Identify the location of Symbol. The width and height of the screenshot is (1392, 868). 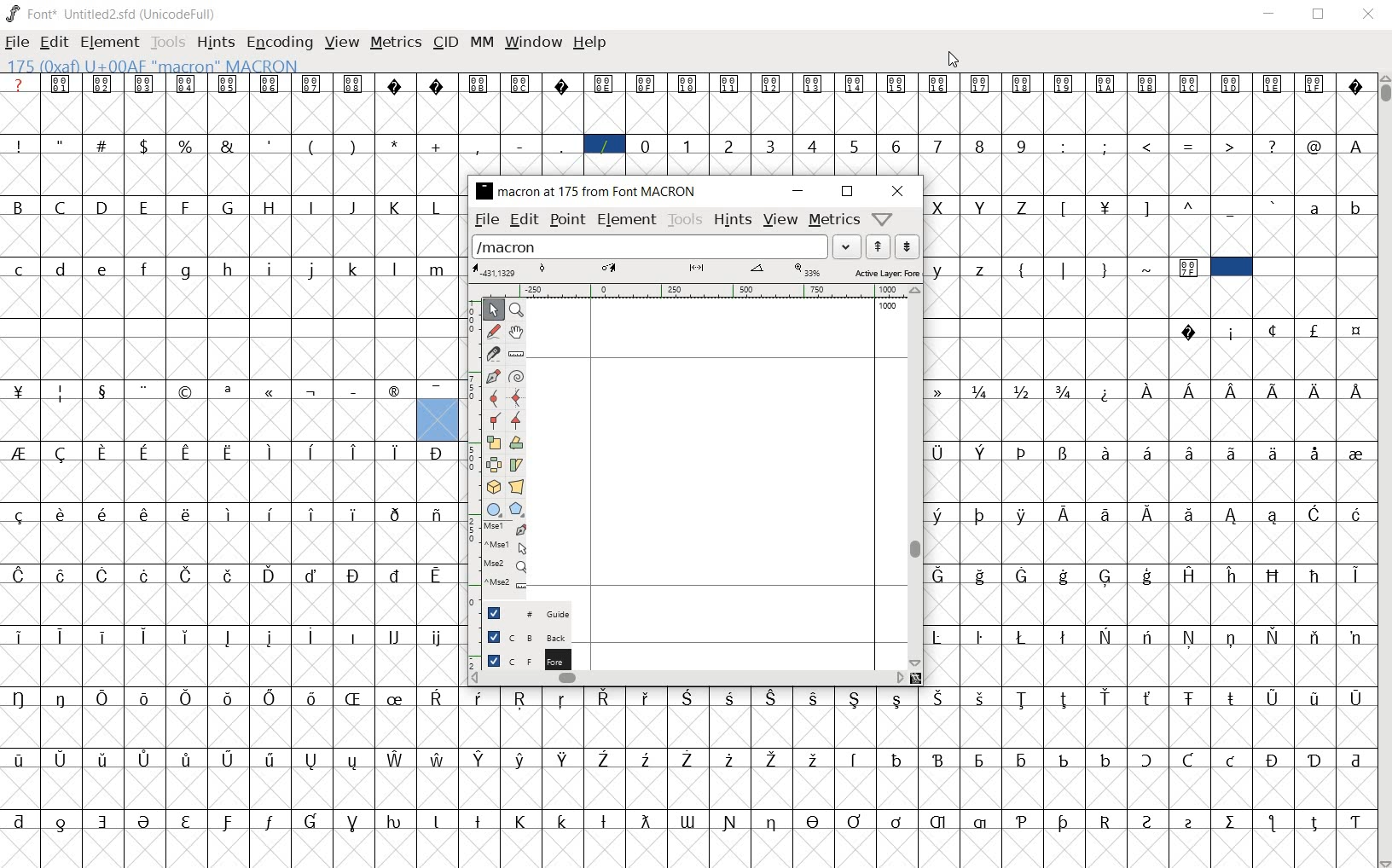
(1314, 83).